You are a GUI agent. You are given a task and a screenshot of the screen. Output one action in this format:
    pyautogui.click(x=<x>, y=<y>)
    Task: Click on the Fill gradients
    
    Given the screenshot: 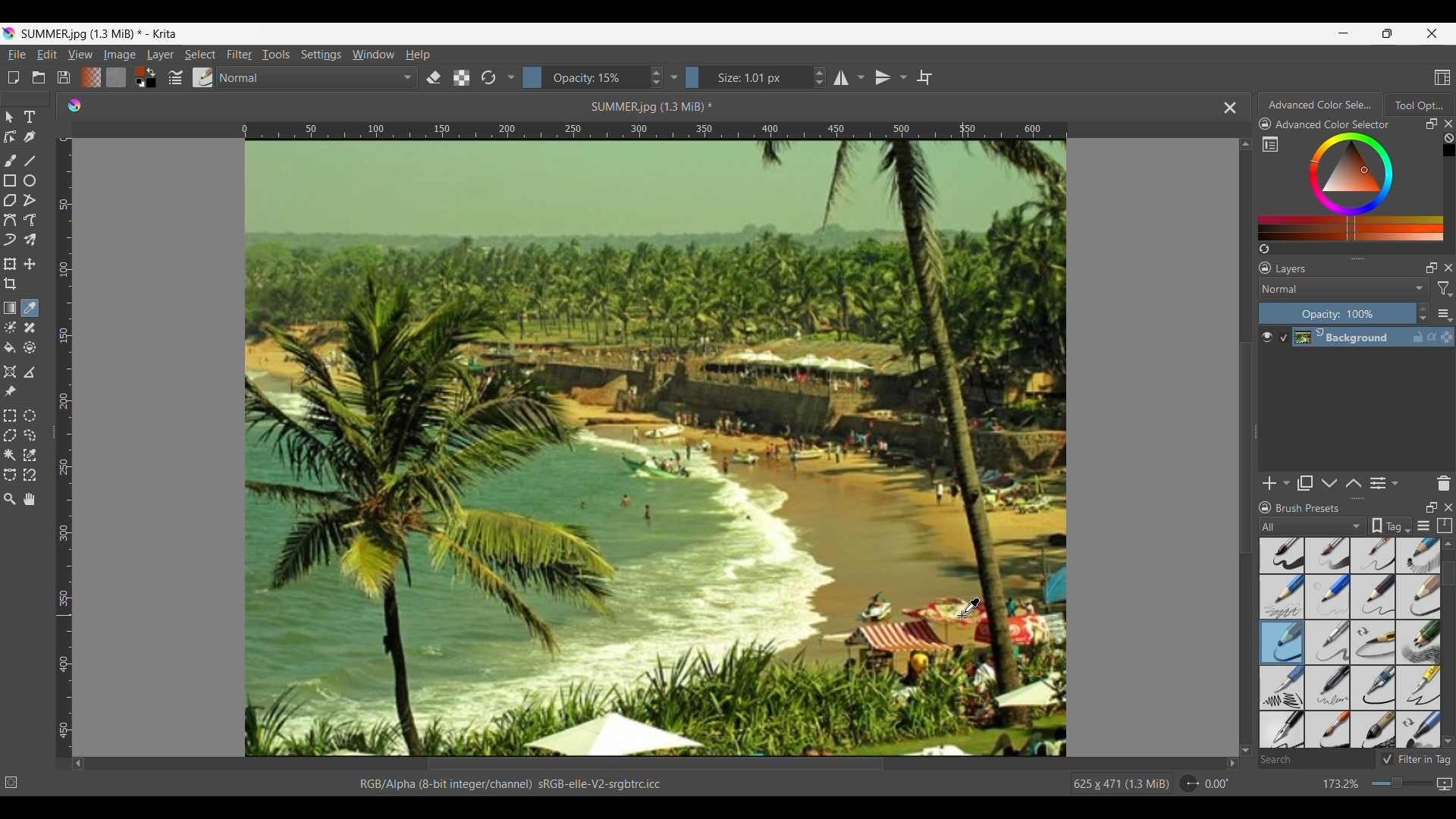 What is the action you would take?
    pyautogui.click(x=91, y=77)
    